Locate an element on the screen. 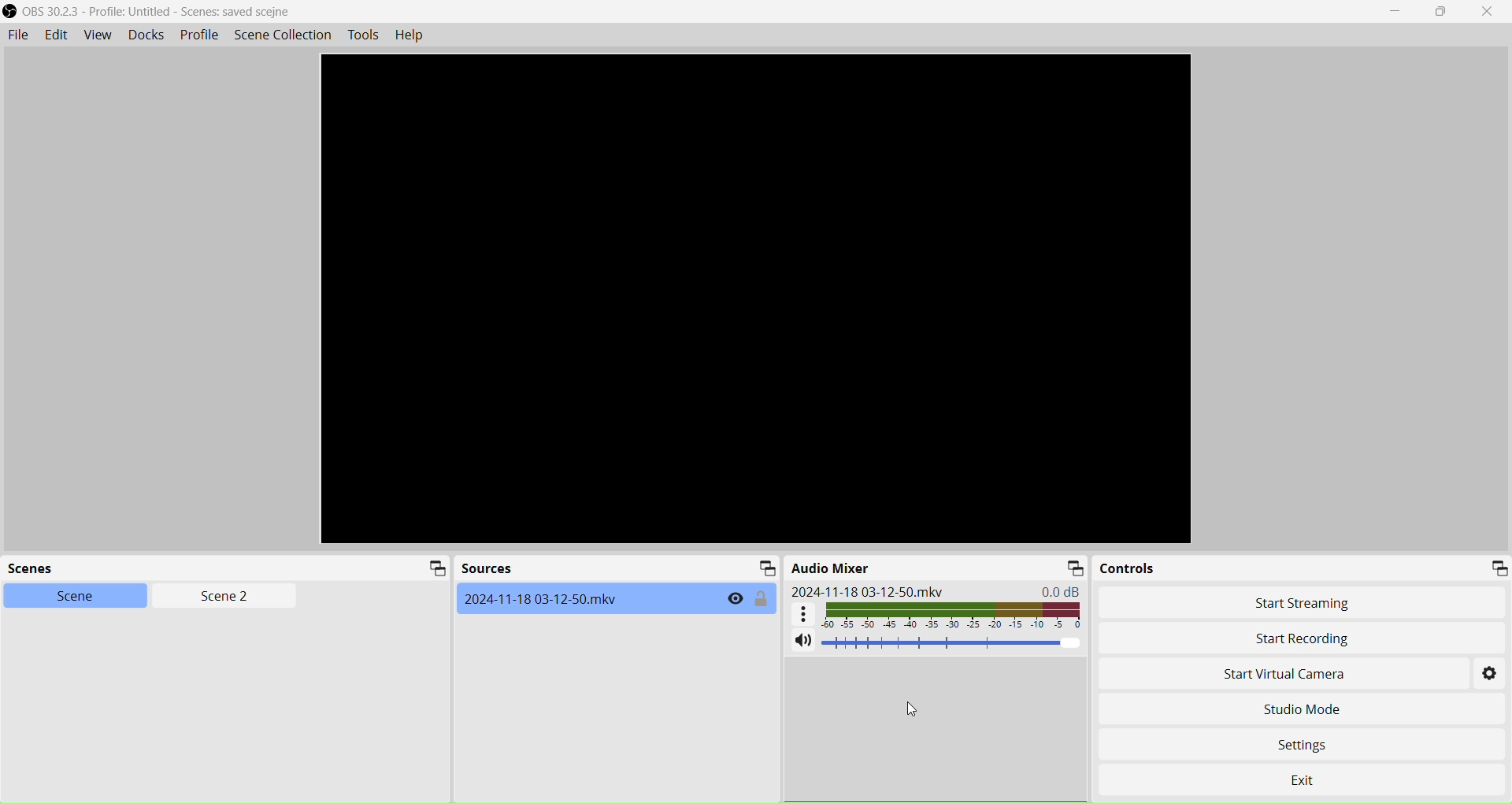  Scenes is located at coordinates (43, 570).